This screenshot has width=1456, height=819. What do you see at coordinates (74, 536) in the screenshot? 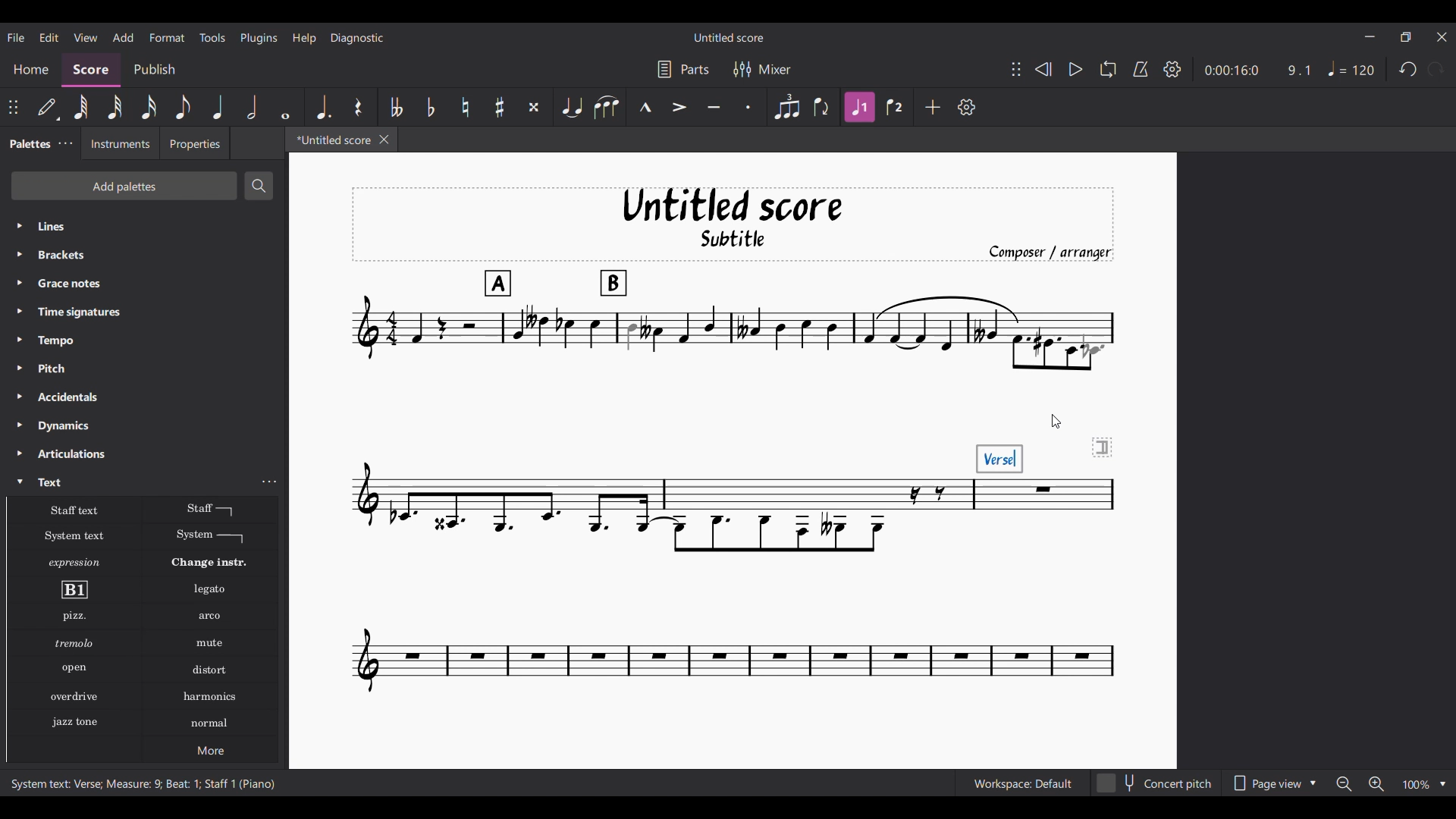
I see `System text` at bounding box center [74, 536].